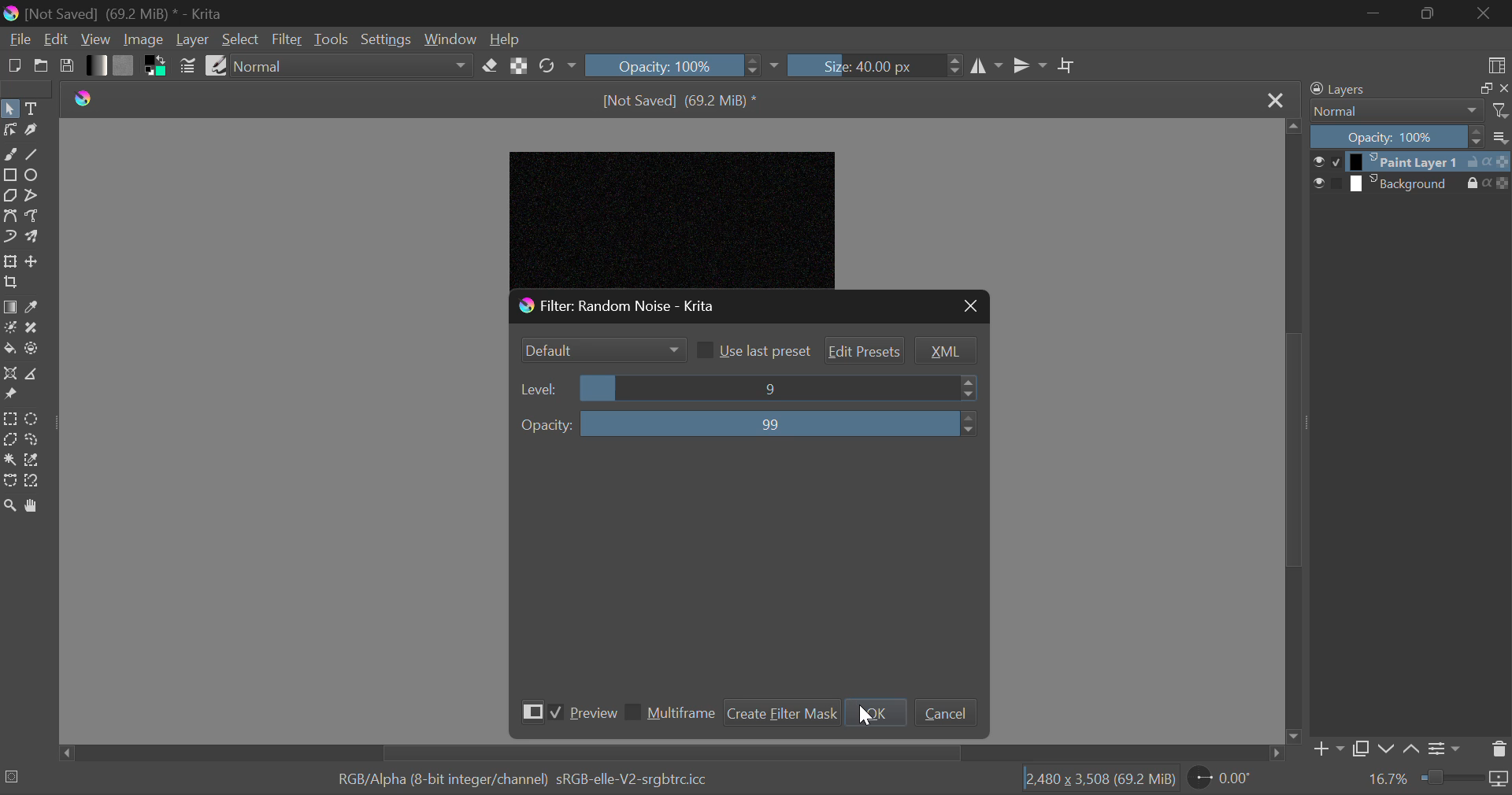 The height and width of the screenshot is (795, 1512). What do you see at coordinates (1390, 111) in the screenshot?
I see `Blending Mode` at bounding box center [1390, 111].